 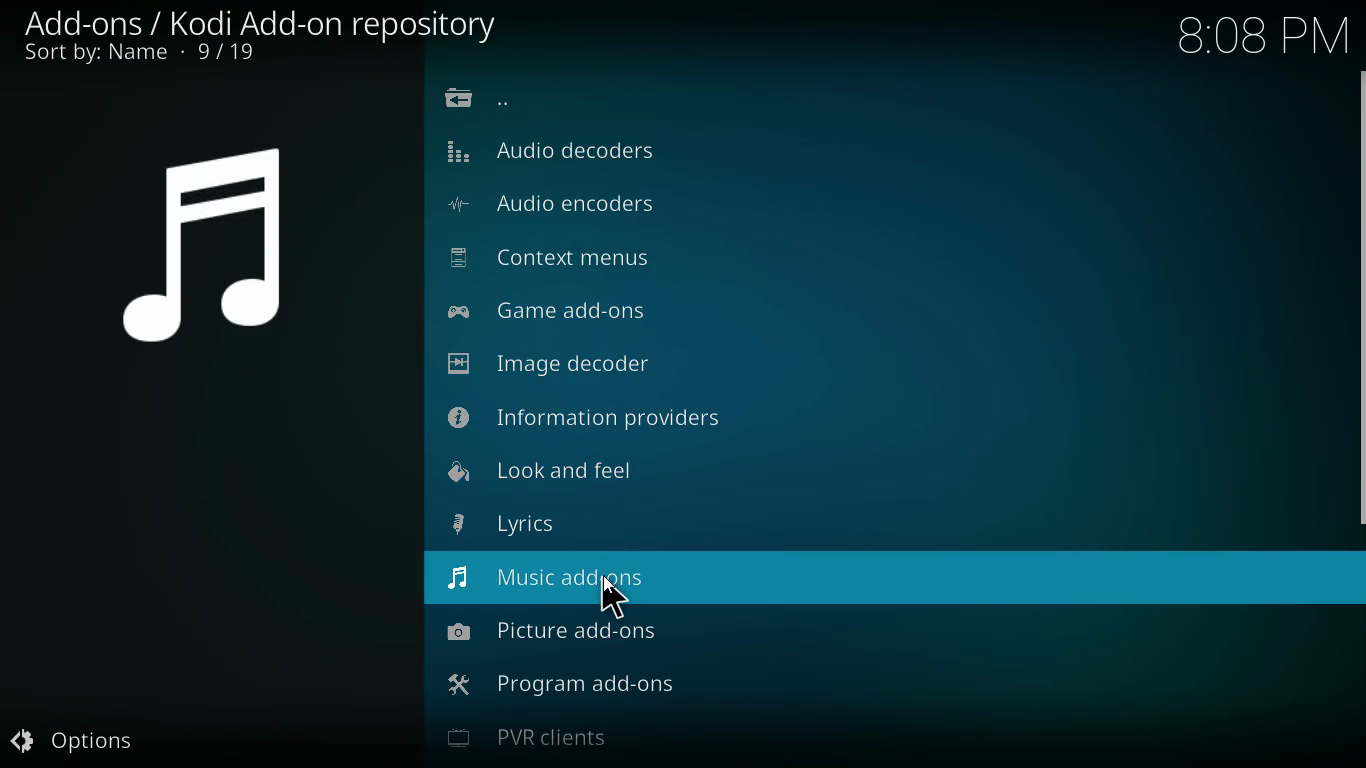 I want to click on Time - 8:08PM, so click(x=1257, y=36).